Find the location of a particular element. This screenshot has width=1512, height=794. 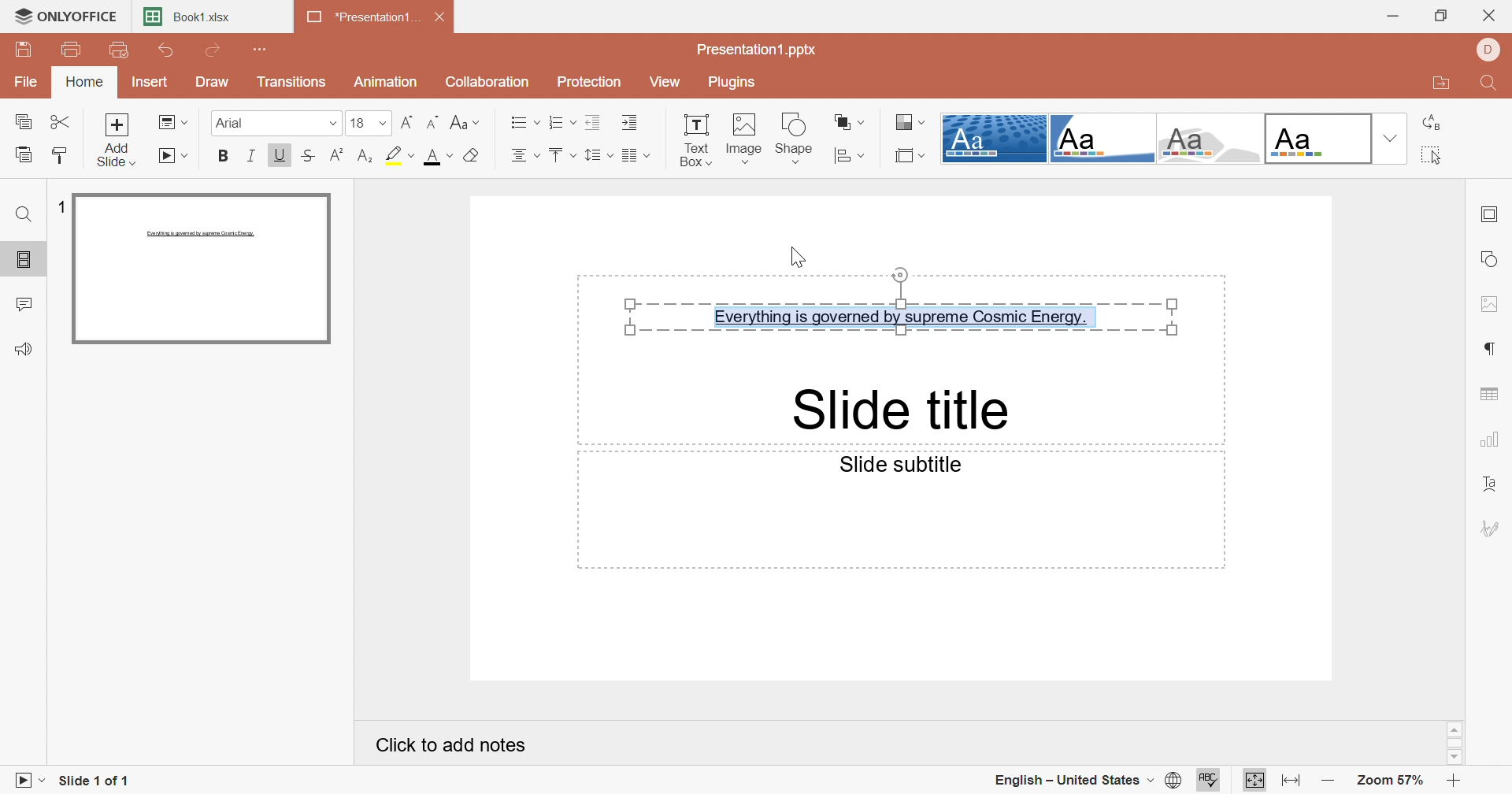

Text Box is located at coordinates (695, 139).